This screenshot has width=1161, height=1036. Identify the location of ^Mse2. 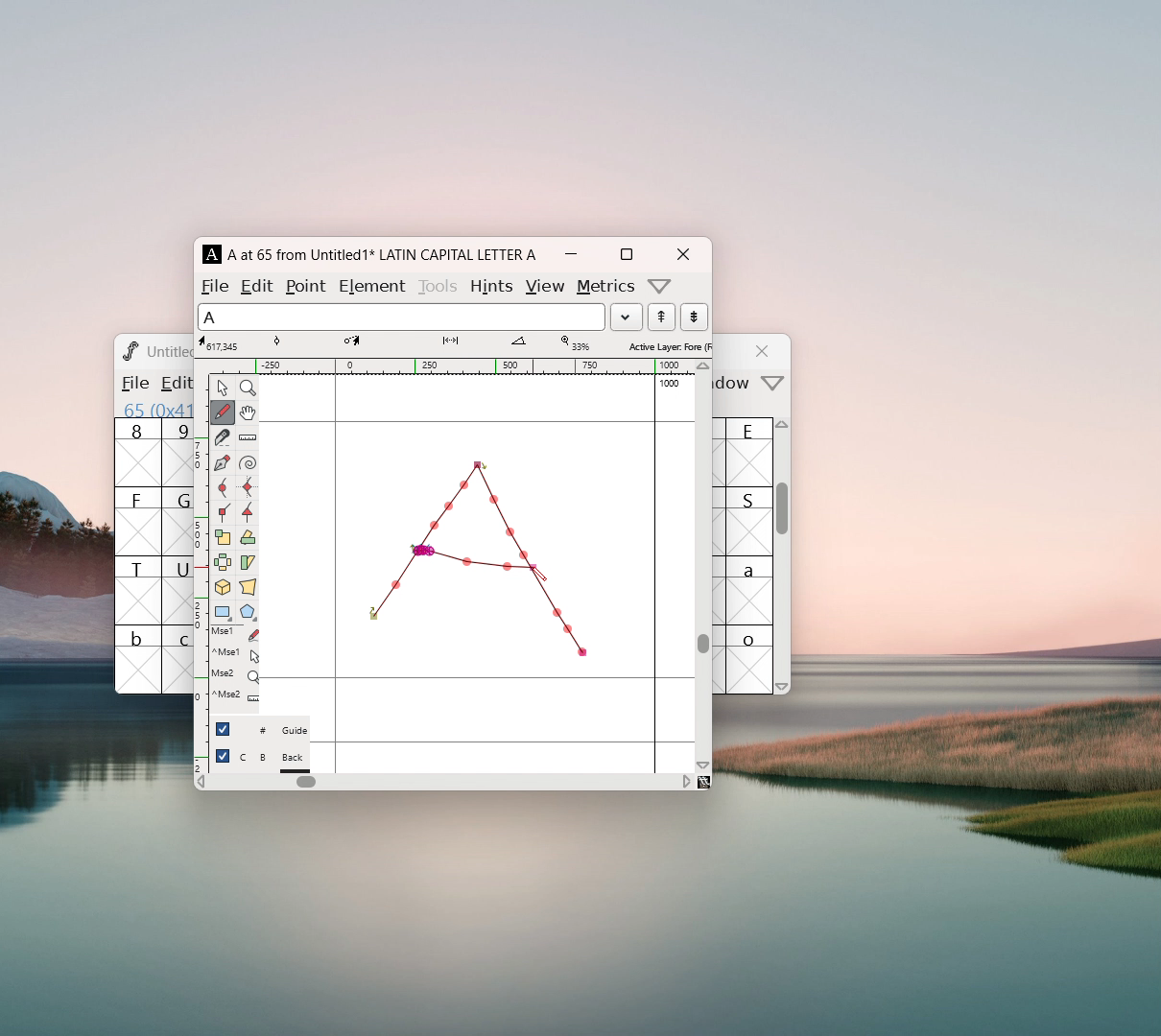
(236, 653).